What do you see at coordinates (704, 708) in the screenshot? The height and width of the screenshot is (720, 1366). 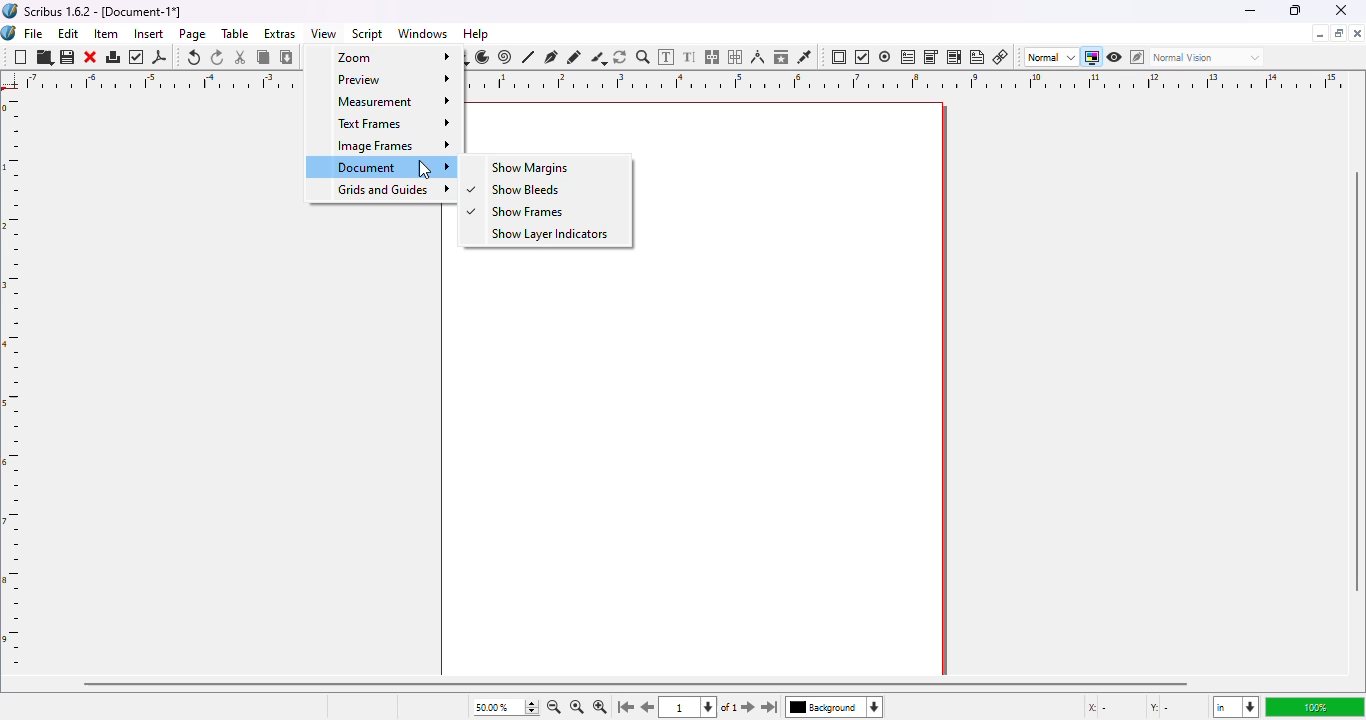 I see `1 of 1` at bounding box center [704, 708].